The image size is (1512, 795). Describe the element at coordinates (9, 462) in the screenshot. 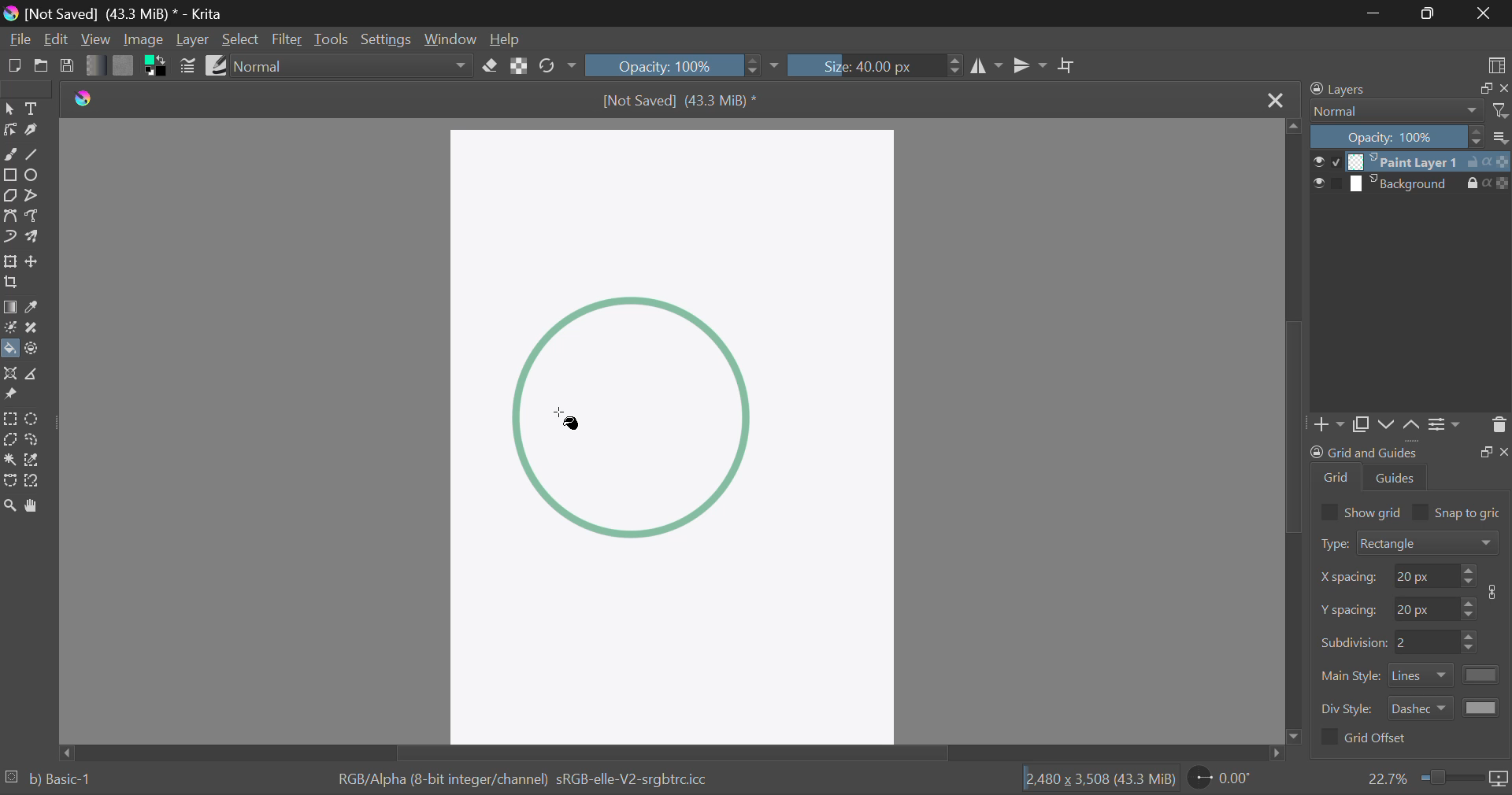

I see `Continuous Selection` at that location.